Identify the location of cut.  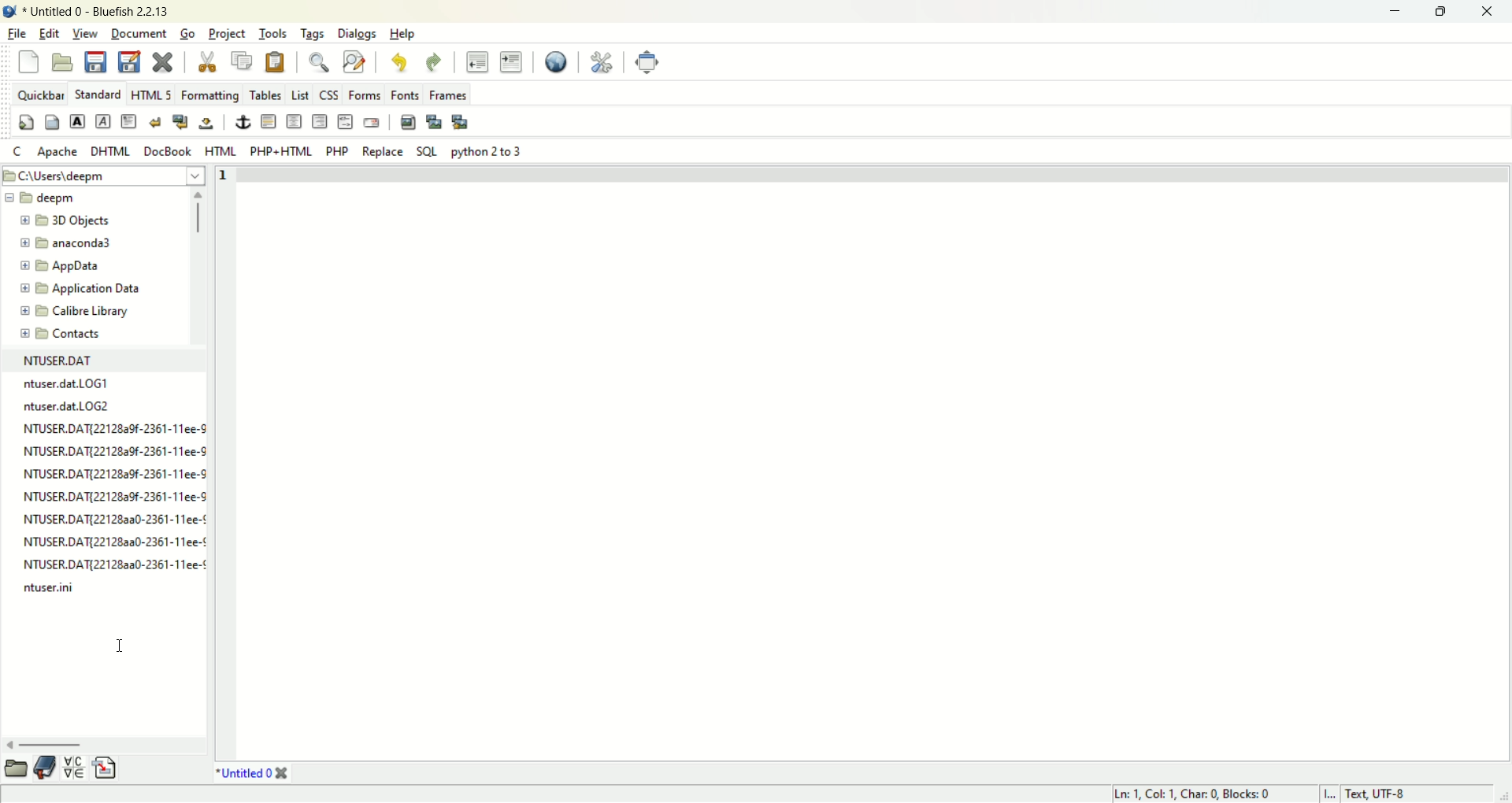
(208, 61).